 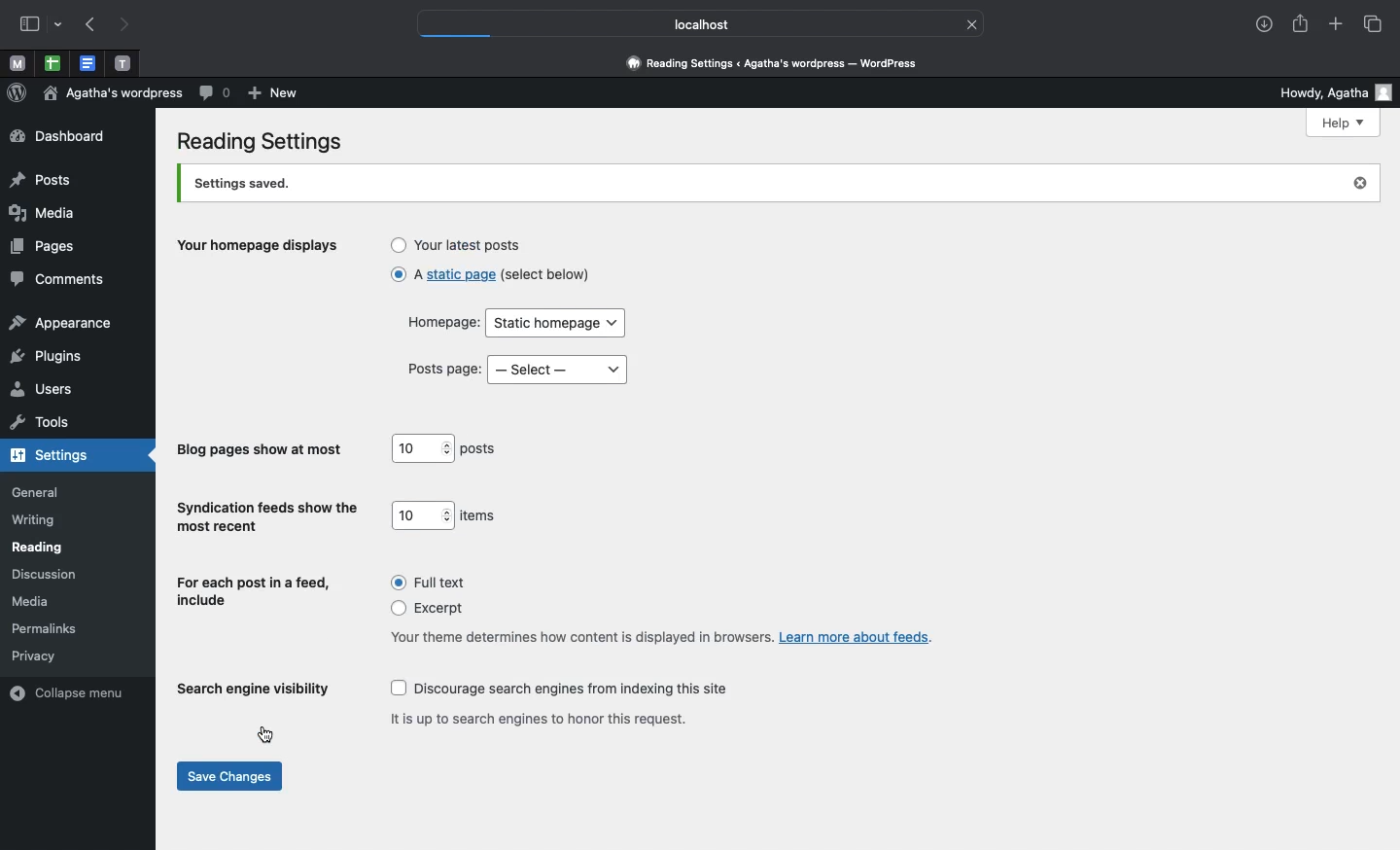 What do you see at coordinates (485, 274) in the screenshot?
I see `a static pag` at bounding box center [485, 274].